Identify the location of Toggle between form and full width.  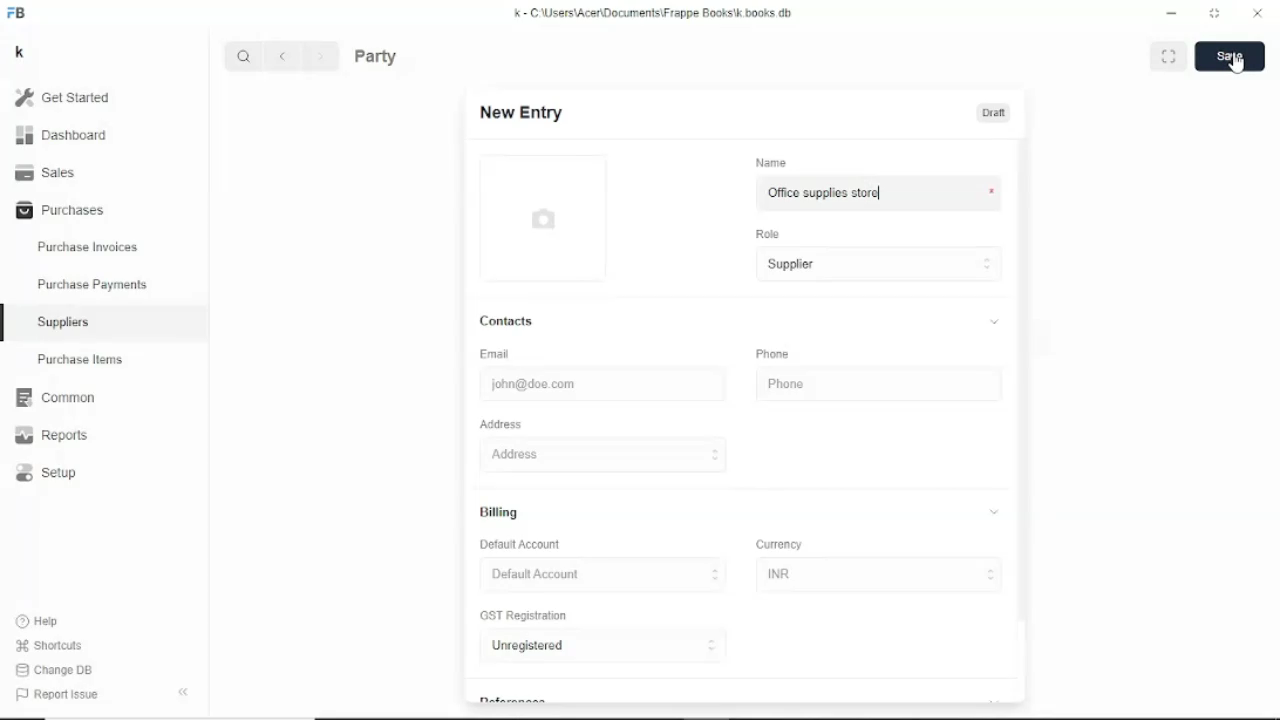
(1214, 13).